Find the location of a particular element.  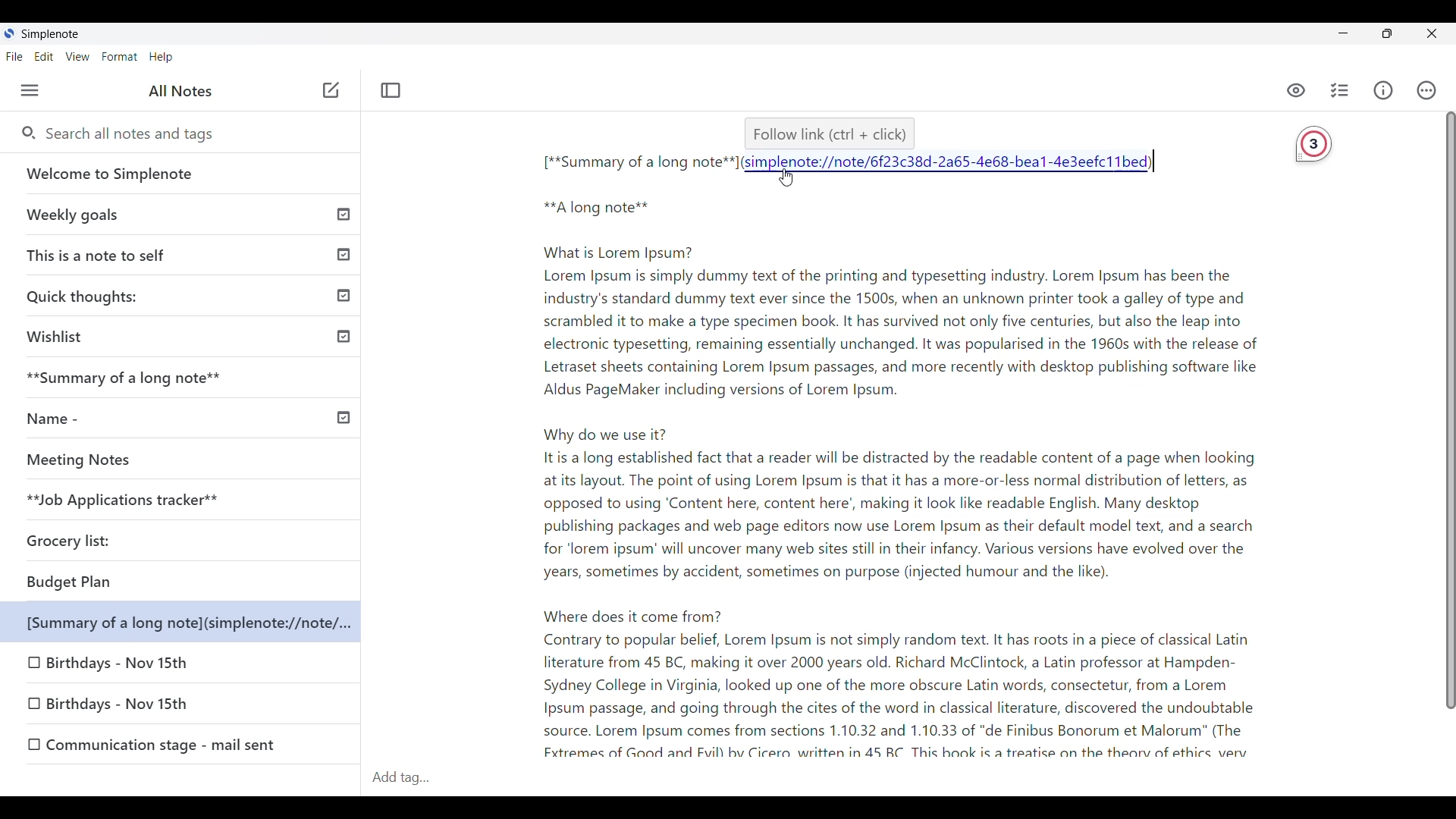

Markdown preview is located at coordinates (1289, 88).